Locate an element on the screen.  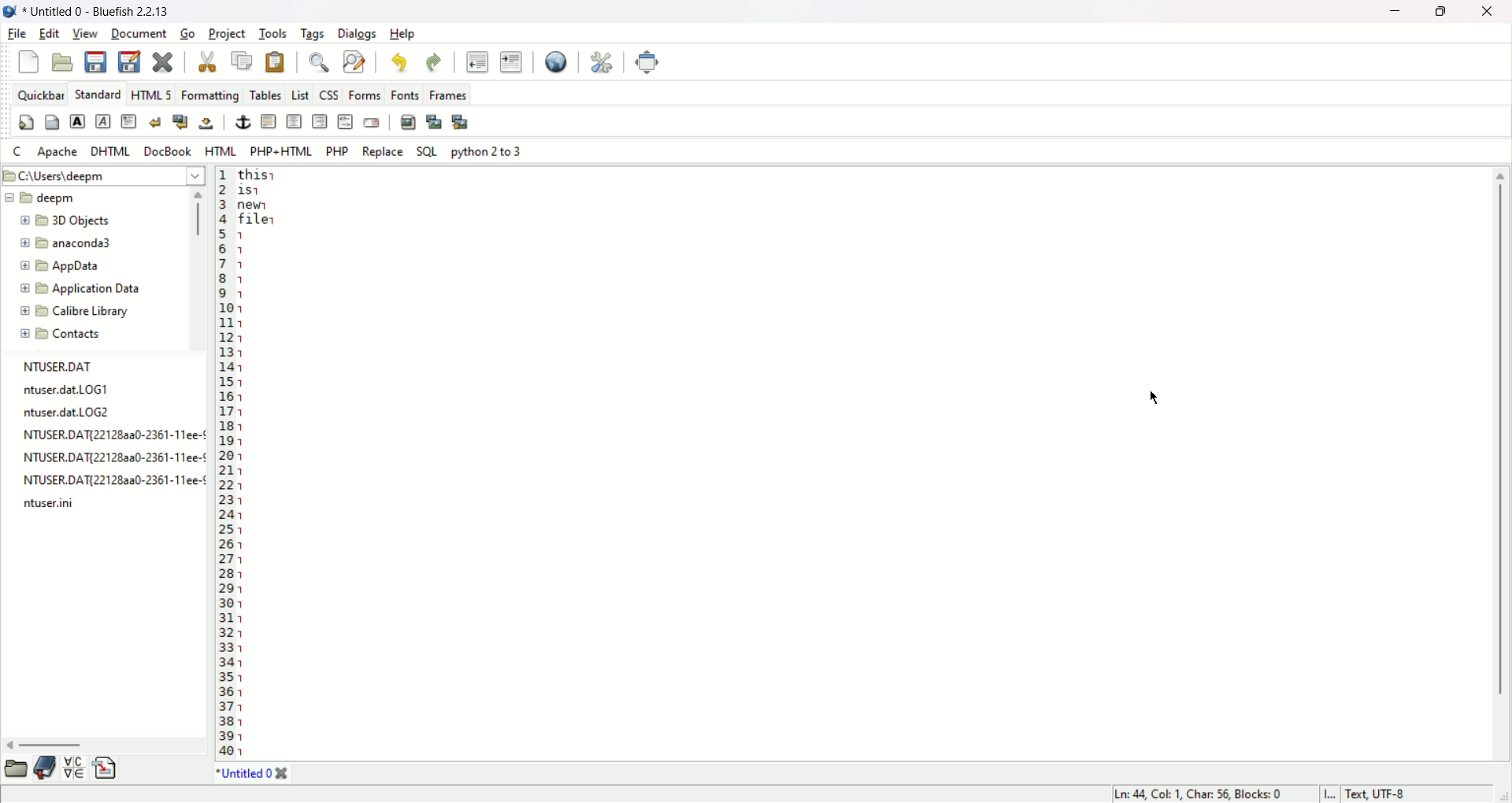
document name is located at coordinates (109, 10).